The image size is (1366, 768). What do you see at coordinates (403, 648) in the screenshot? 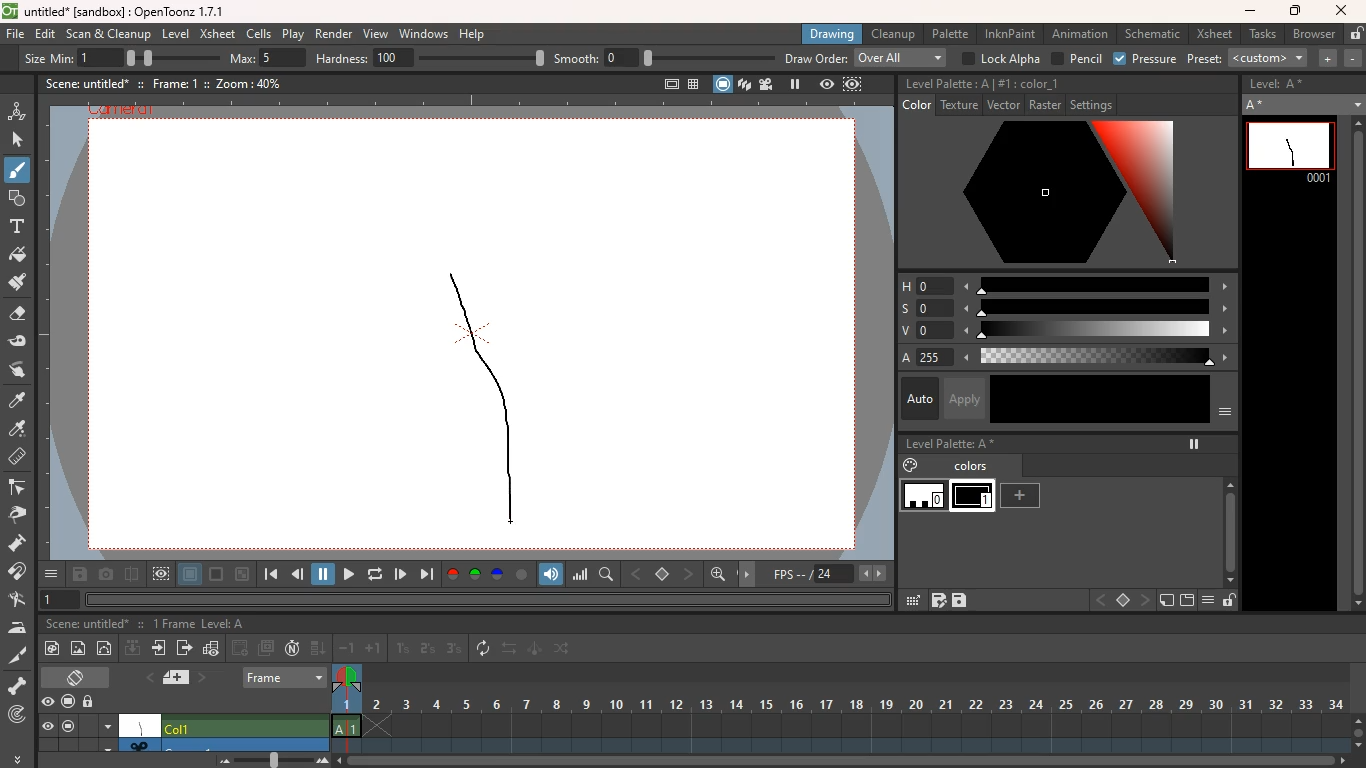
I see `1` at bounding box center [403, 648].